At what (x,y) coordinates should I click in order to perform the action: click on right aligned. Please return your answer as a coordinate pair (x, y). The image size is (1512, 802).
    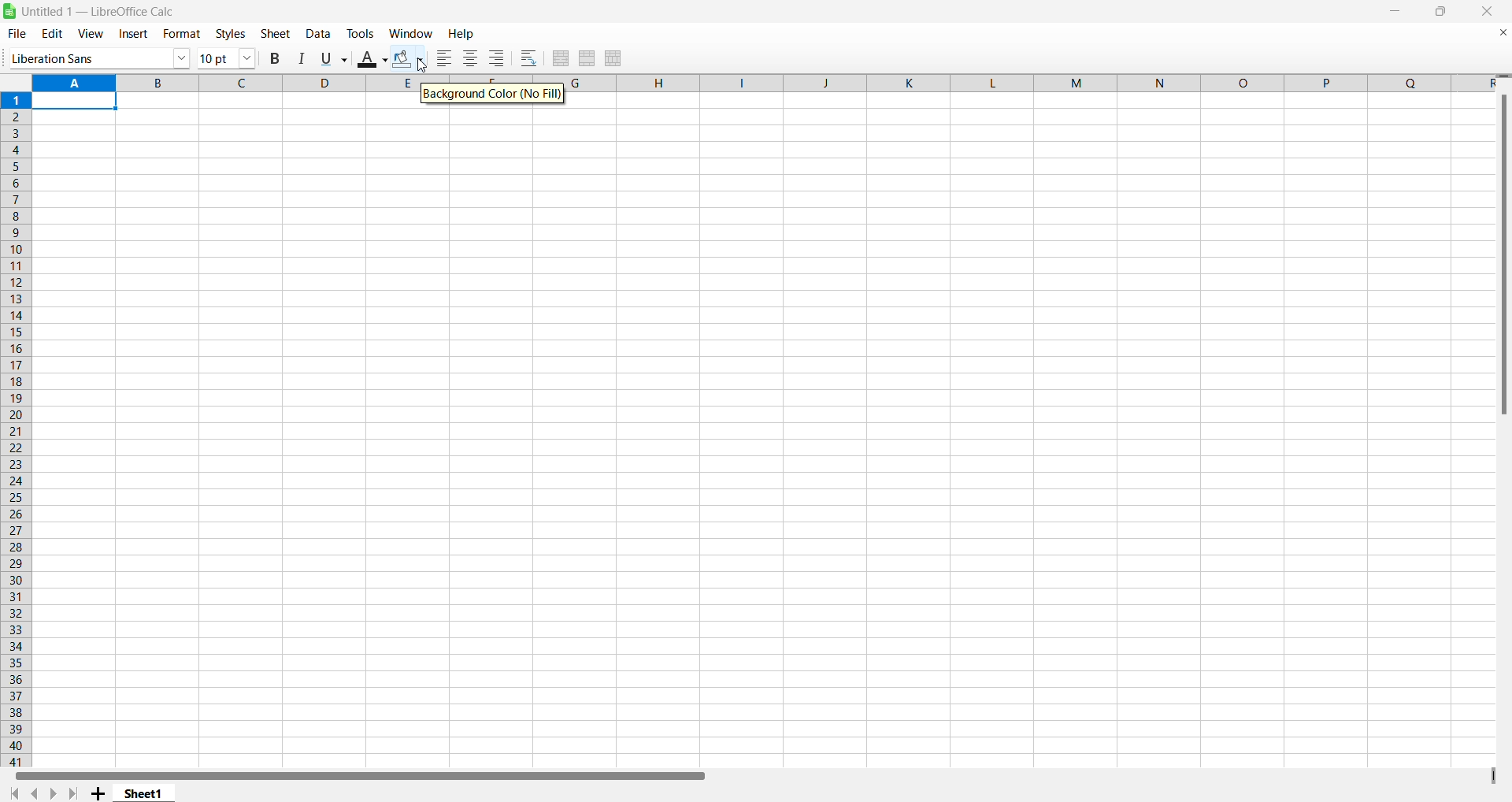
    Looking at the image, I should click on (493, 58).